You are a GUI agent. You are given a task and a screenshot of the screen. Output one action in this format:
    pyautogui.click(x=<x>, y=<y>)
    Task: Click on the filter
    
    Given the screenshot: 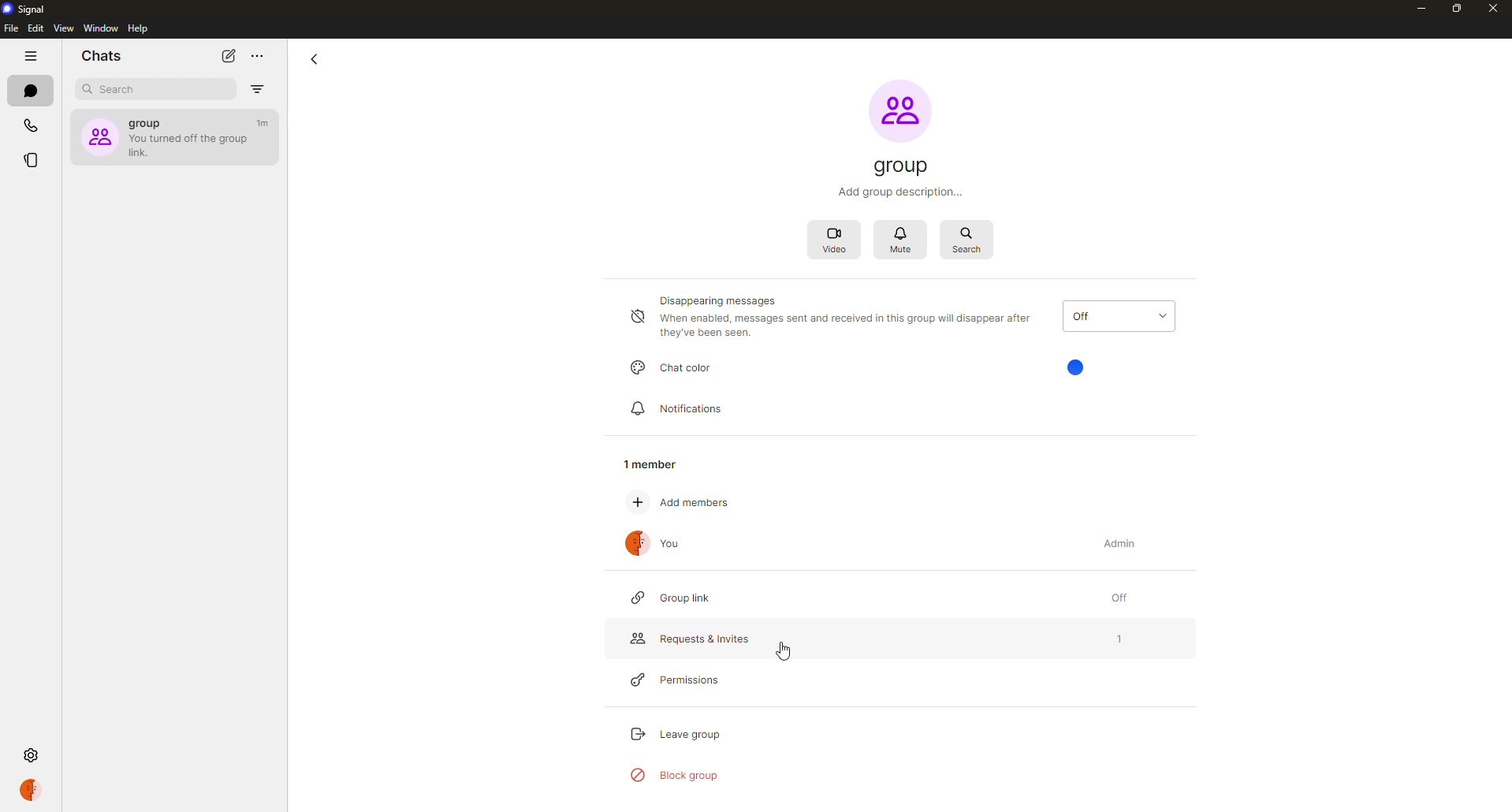 What is the action you would take?
    pyautogui.click(x=258, y=89)
    